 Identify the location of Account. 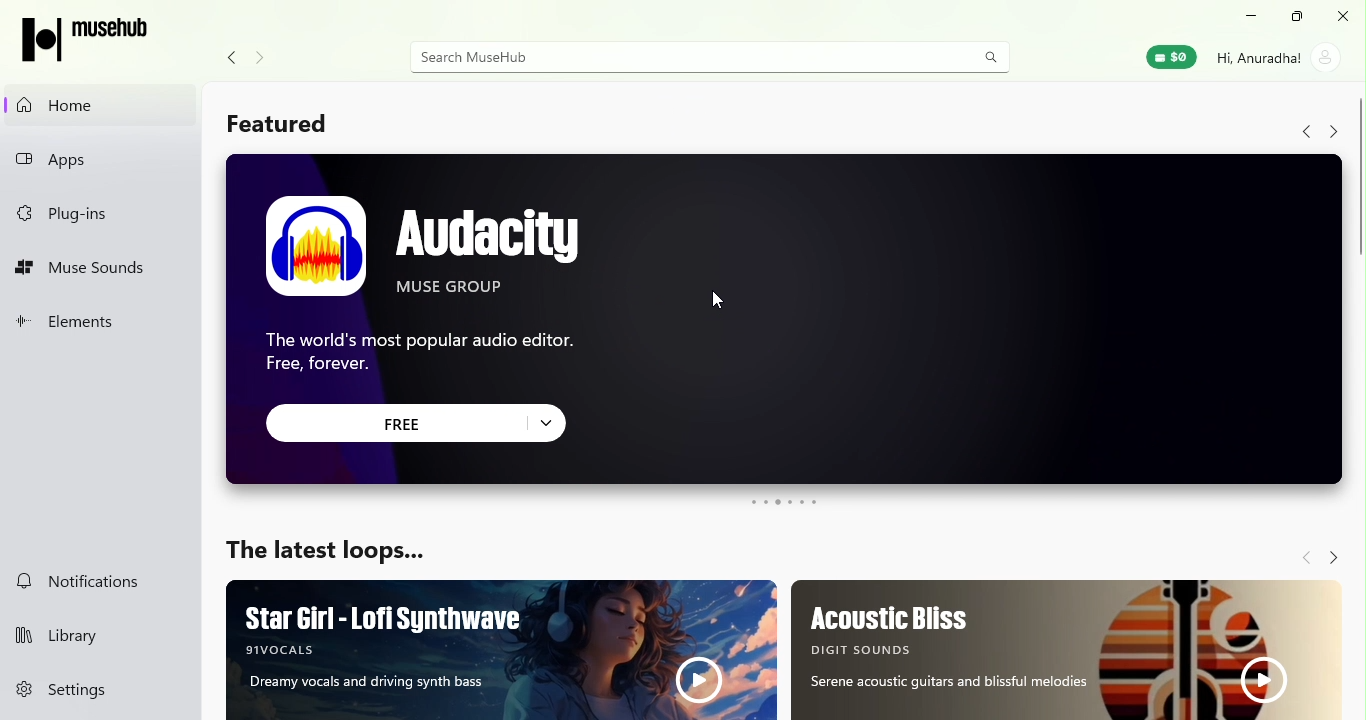
(1275, 60).